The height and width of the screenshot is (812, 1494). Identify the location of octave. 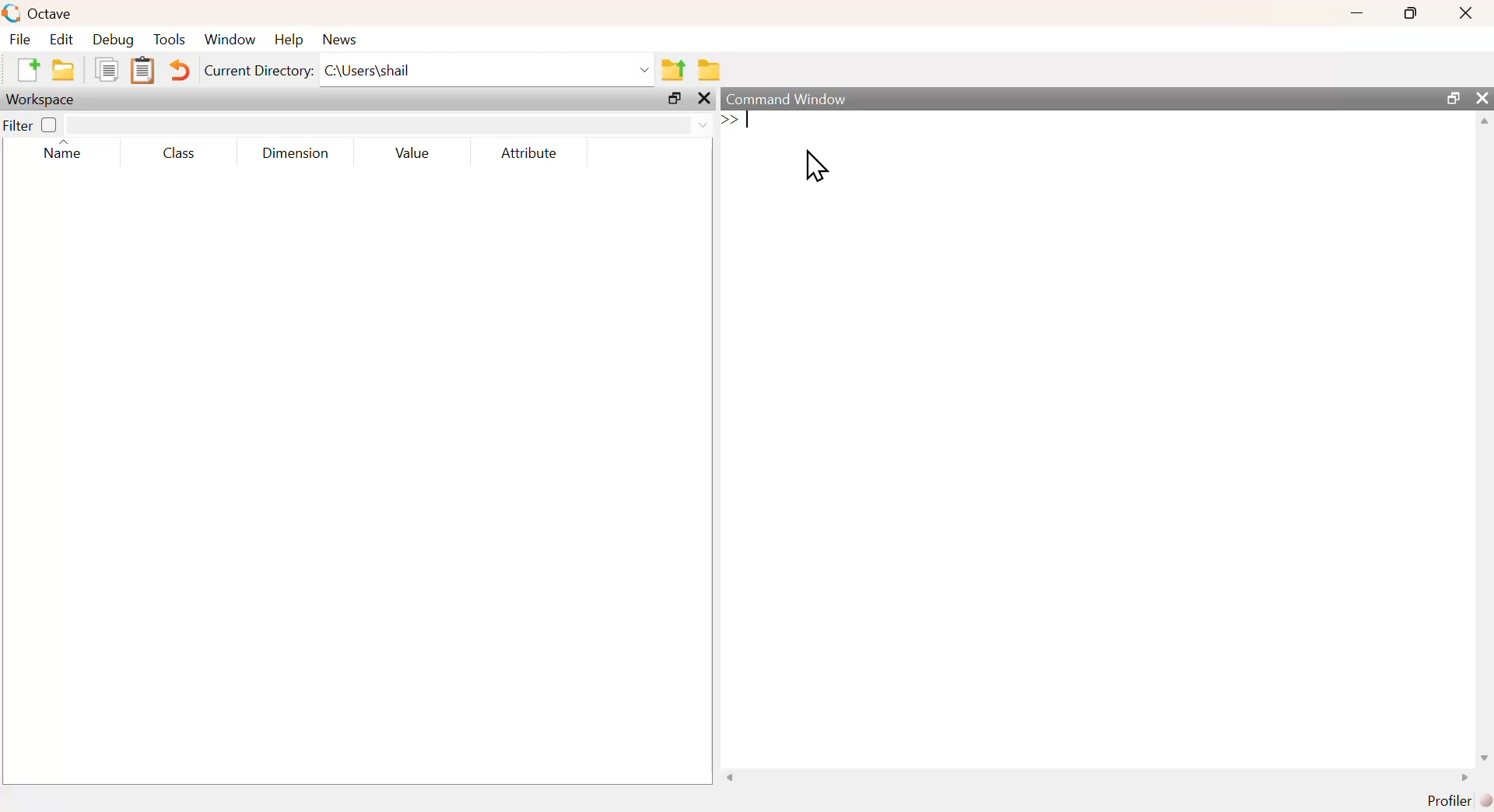
(40, 14).